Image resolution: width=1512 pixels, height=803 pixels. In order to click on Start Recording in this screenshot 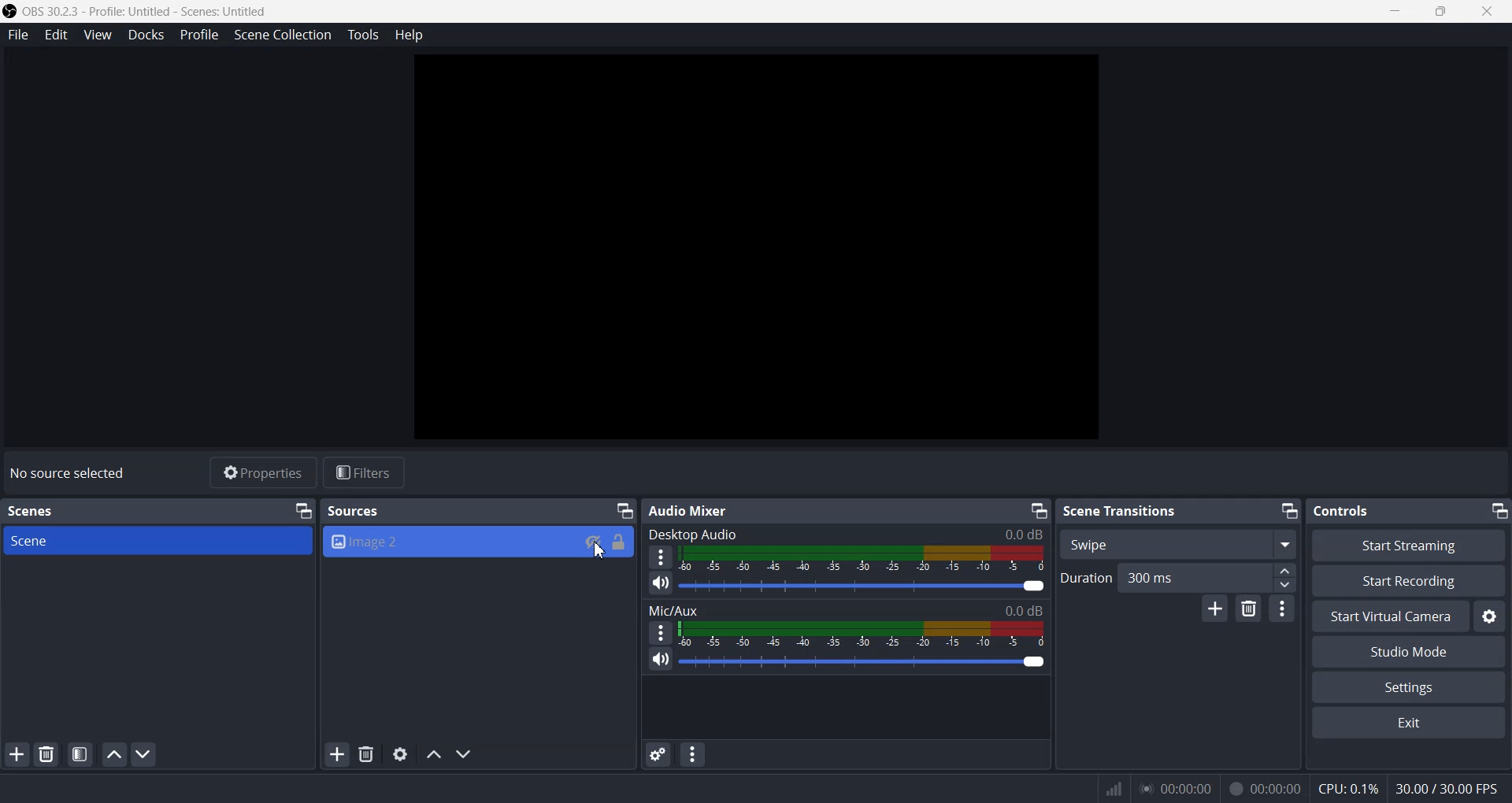, I will do `click(1408, 580)`.